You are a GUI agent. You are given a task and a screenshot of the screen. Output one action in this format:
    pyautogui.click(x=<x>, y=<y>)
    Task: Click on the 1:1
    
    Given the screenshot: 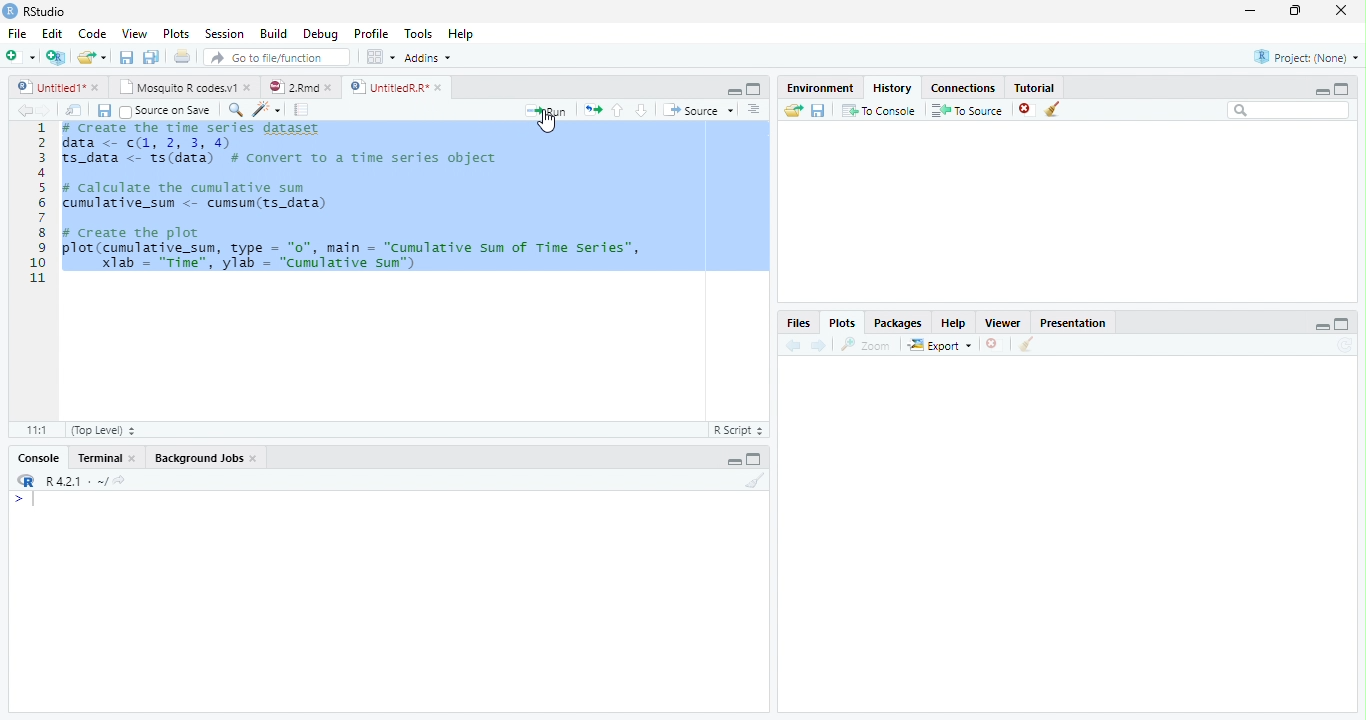 What is the action you would take?
    pyautogui.click(x=33, y=429)
    